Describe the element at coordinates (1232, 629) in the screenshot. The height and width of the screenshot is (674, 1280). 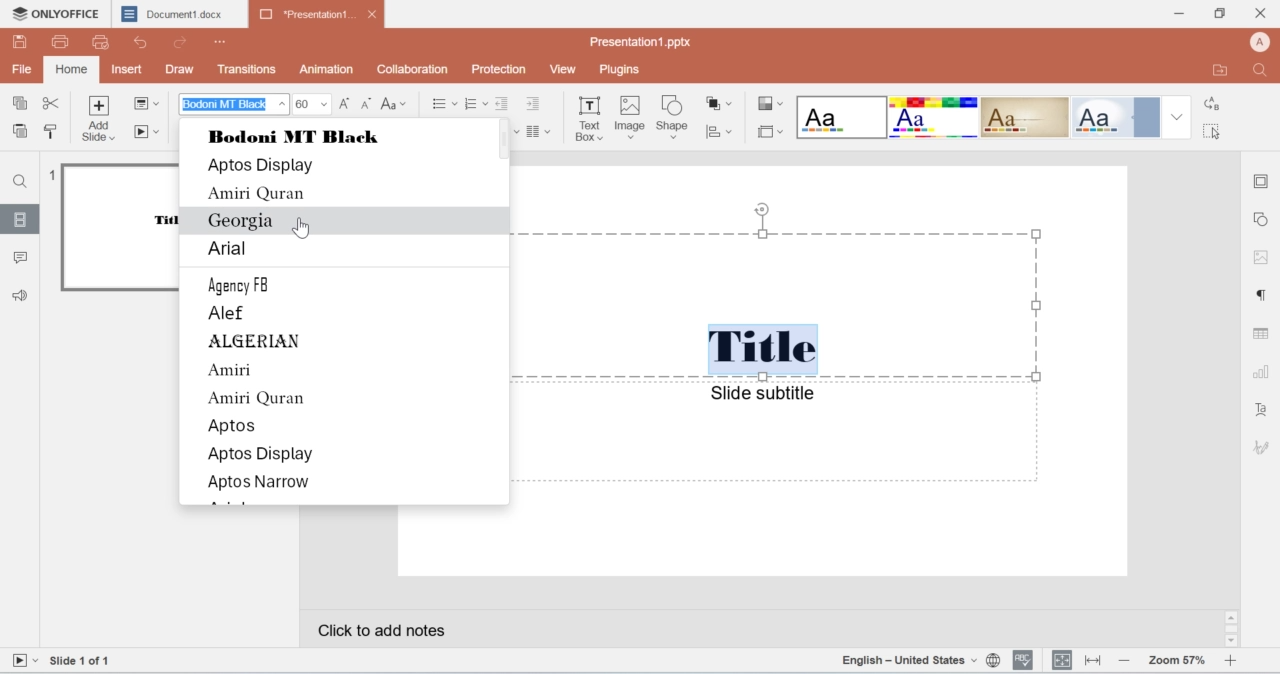
I see `scroll bar` at that location.